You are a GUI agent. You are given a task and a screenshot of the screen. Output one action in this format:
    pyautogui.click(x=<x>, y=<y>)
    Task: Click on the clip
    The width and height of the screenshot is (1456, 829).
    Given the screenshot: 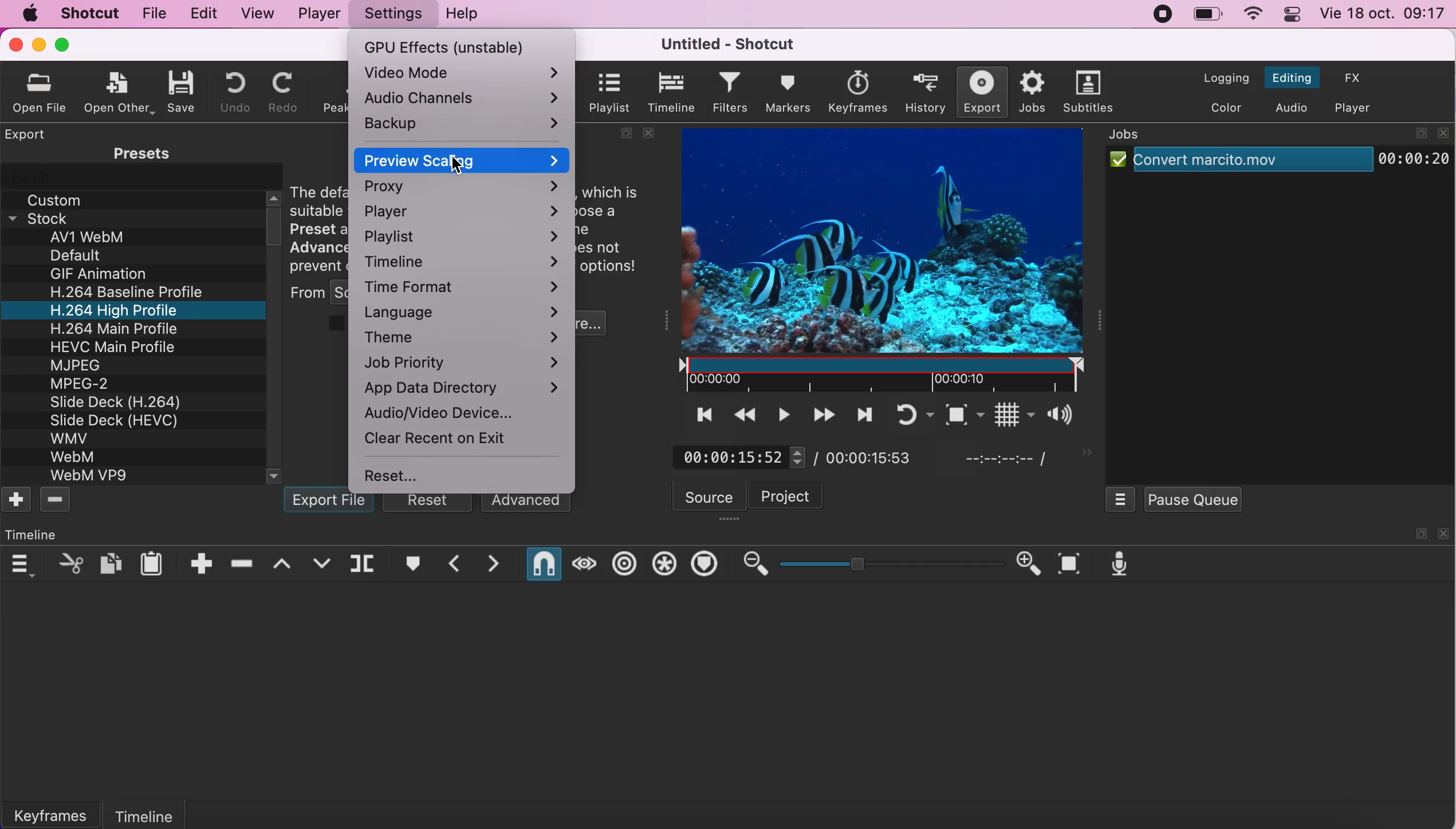 What is the action you would take?
    pyautogui.click(x=886, y=259)
    